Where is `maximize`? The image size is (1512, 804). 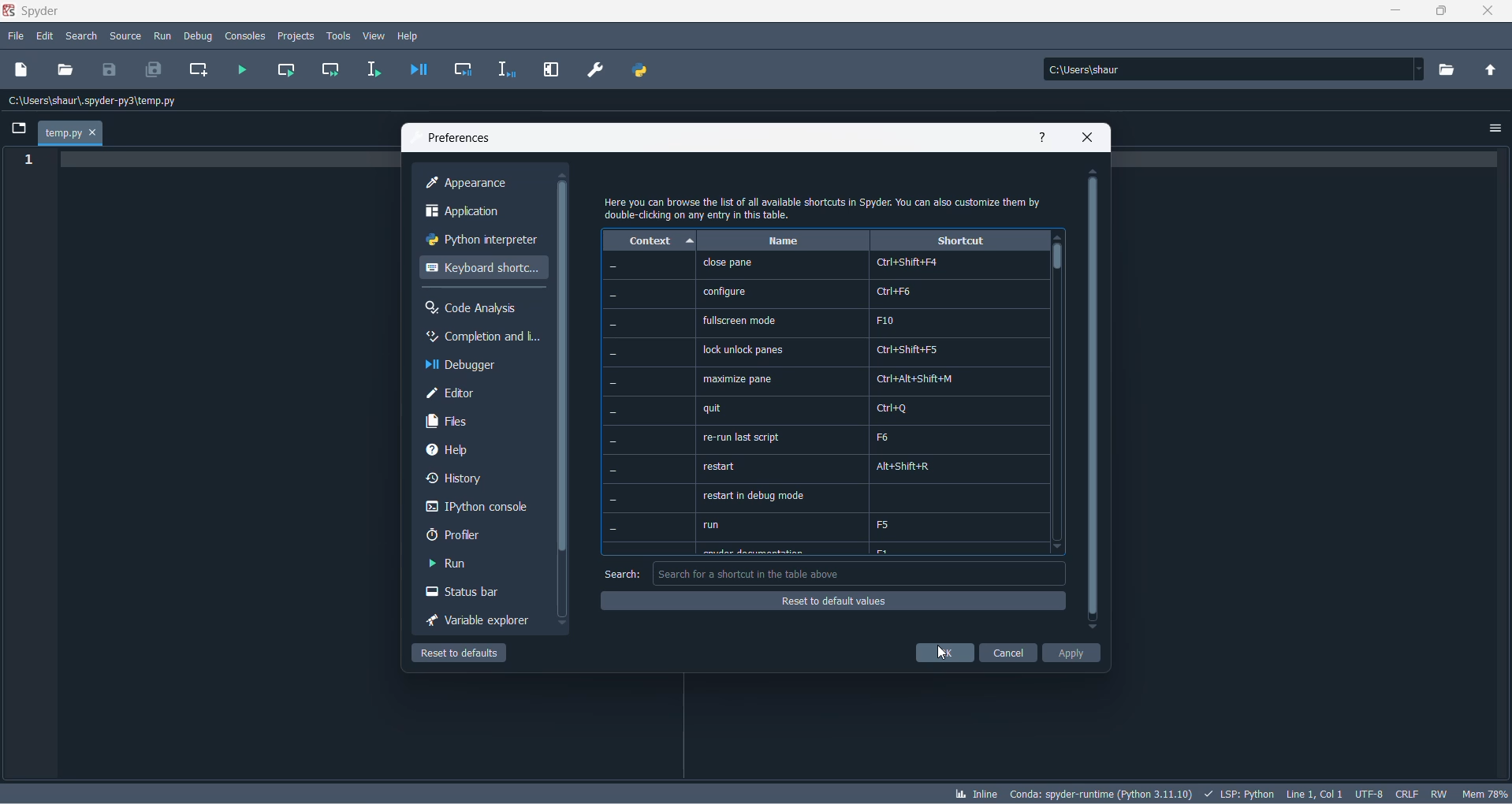
maximize is located at coordinates (1443, 12).